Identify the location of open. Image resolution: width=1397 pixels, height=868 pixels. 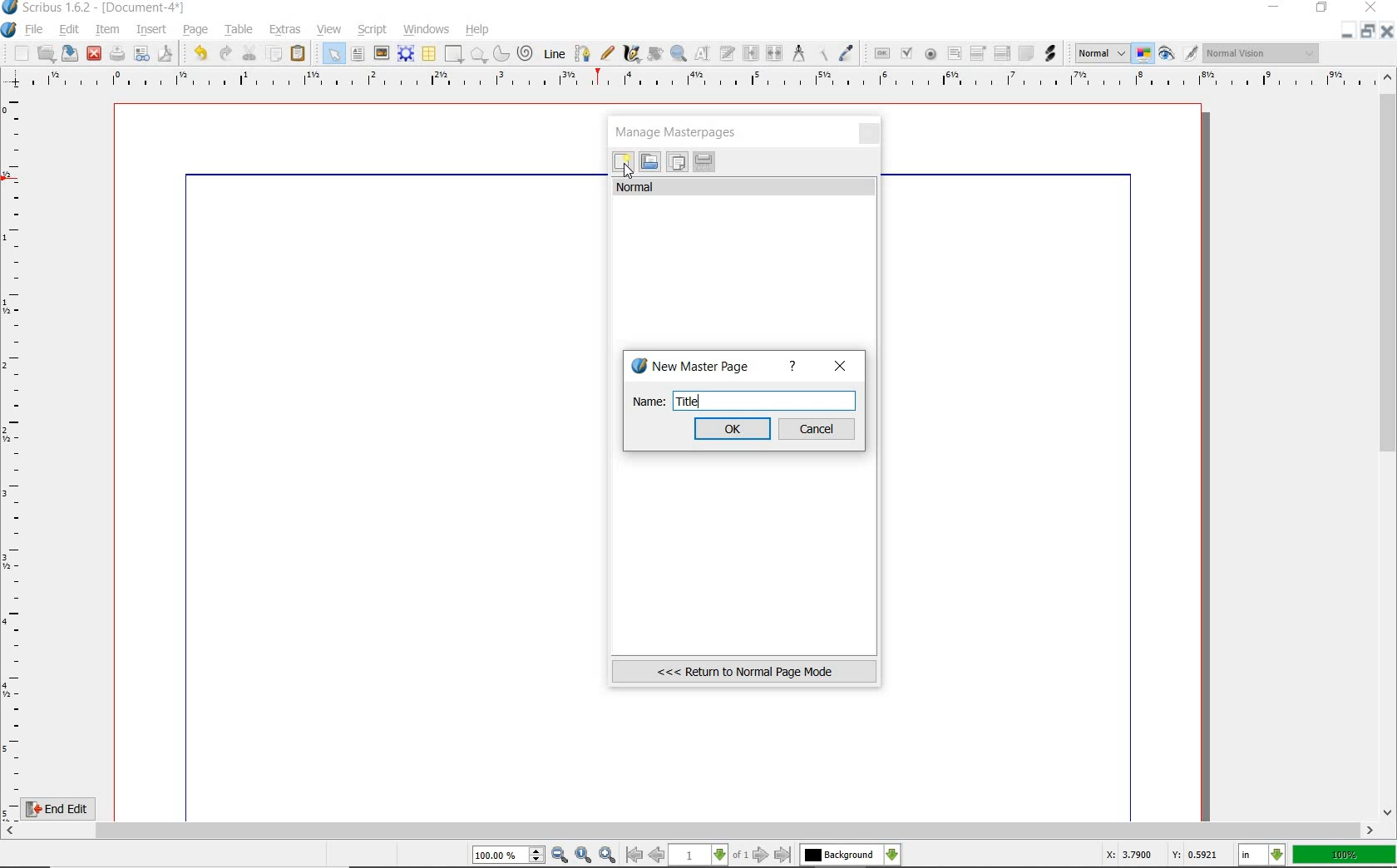
(47, 53).